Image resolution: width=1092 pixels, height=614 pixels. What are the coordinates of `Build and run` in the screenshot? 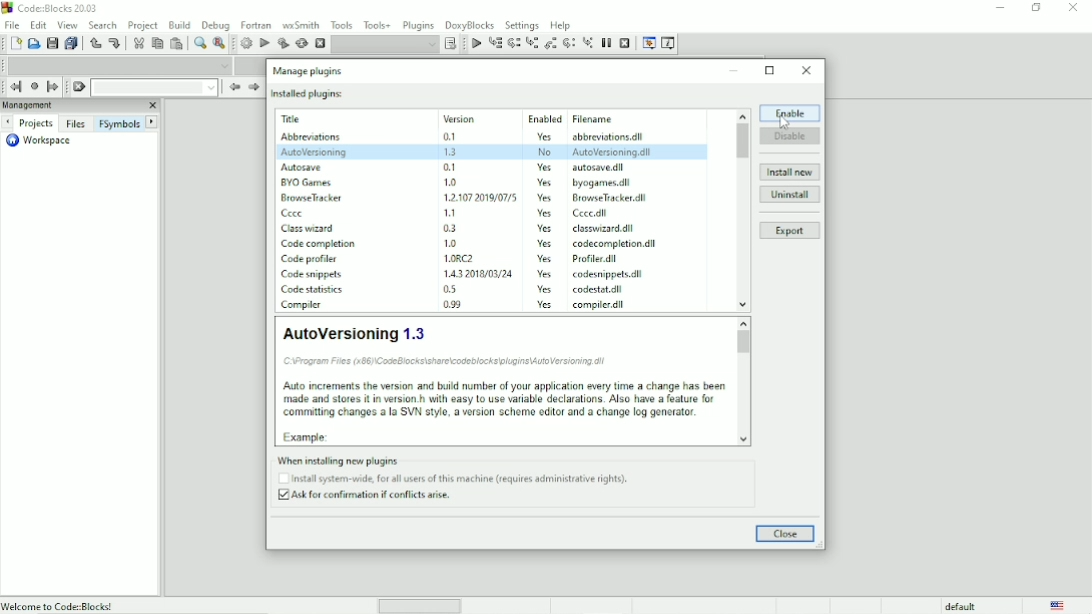 It's located at (283, 43).